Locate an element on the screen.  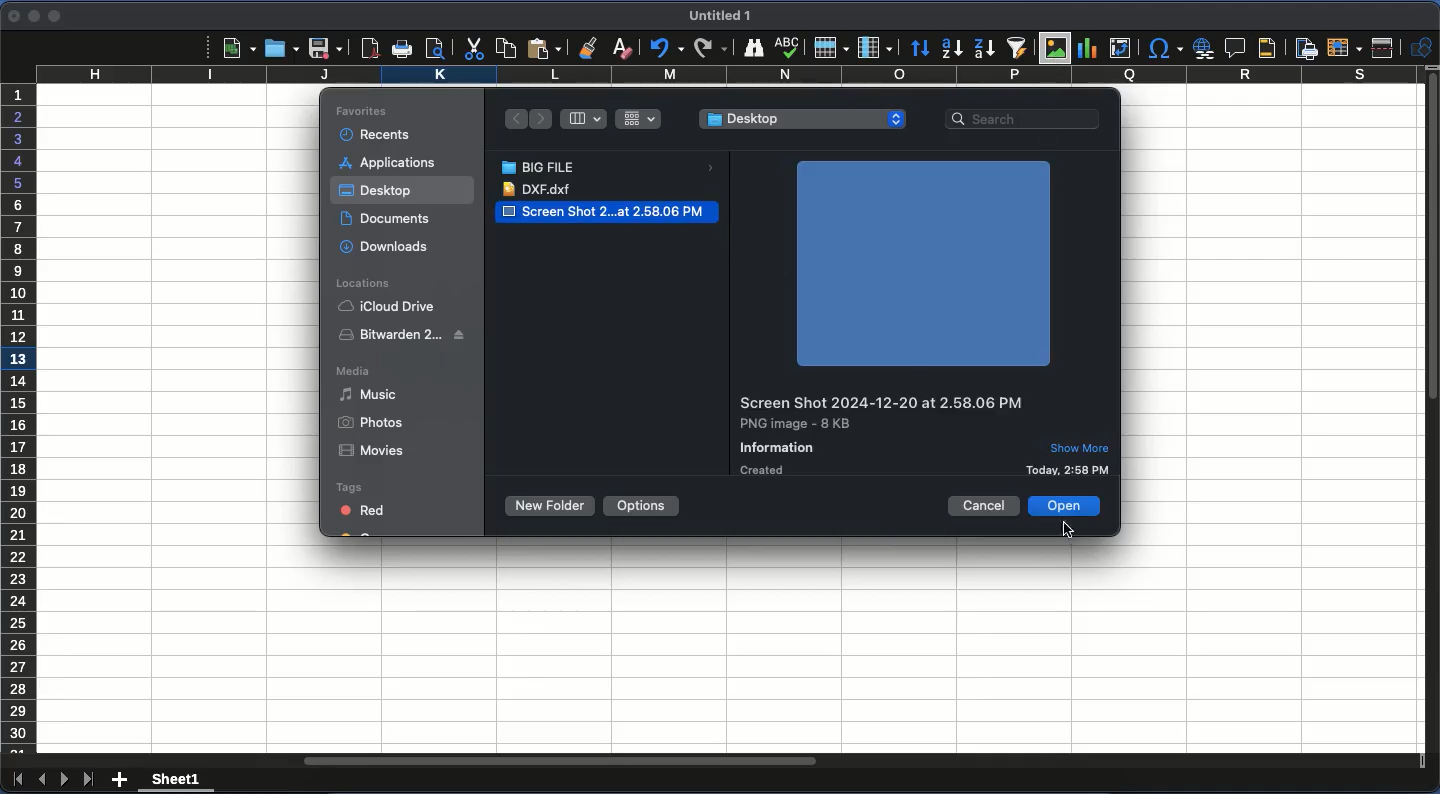
documents is located at coordinates (385, 220).